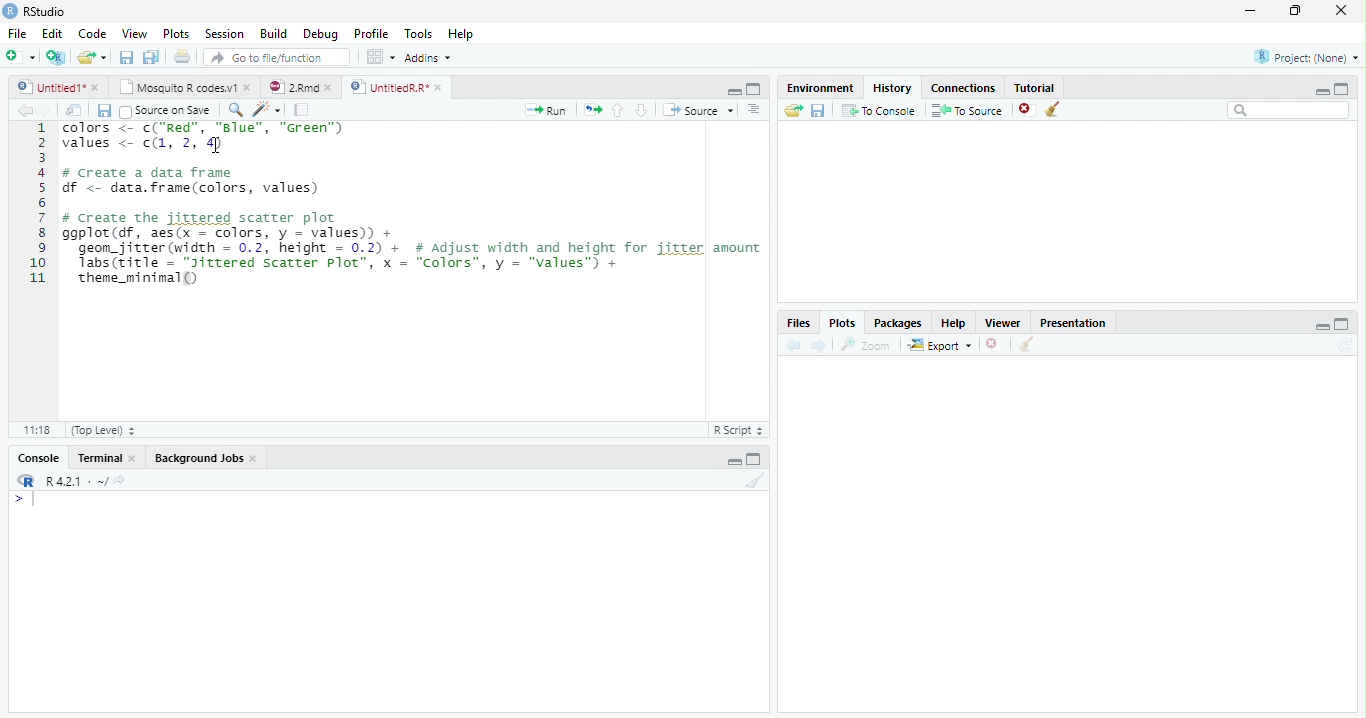  I want to click on Maximize, so click(754, 89).